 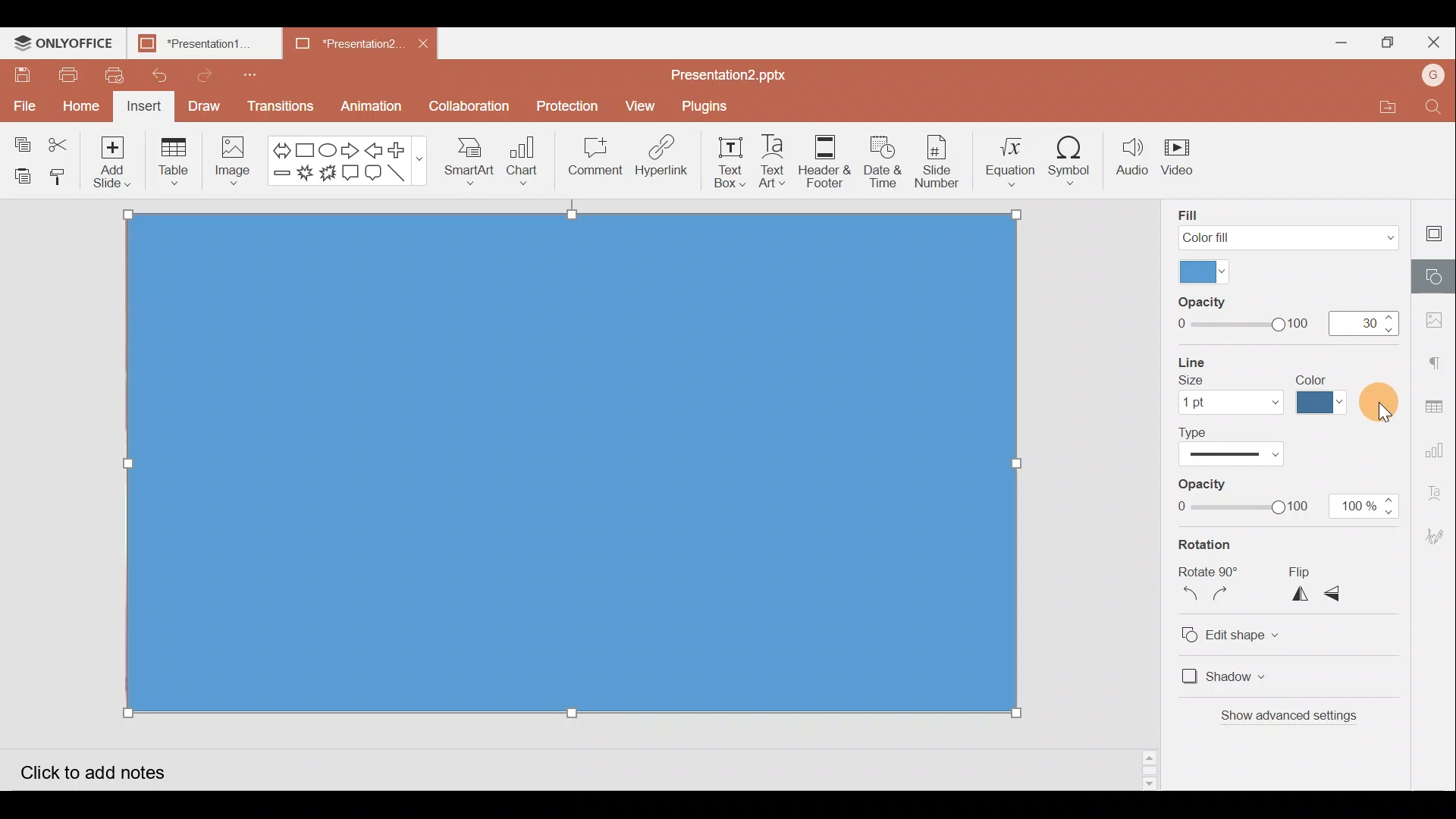 I want to click on Table, so click(x=177, y=160).